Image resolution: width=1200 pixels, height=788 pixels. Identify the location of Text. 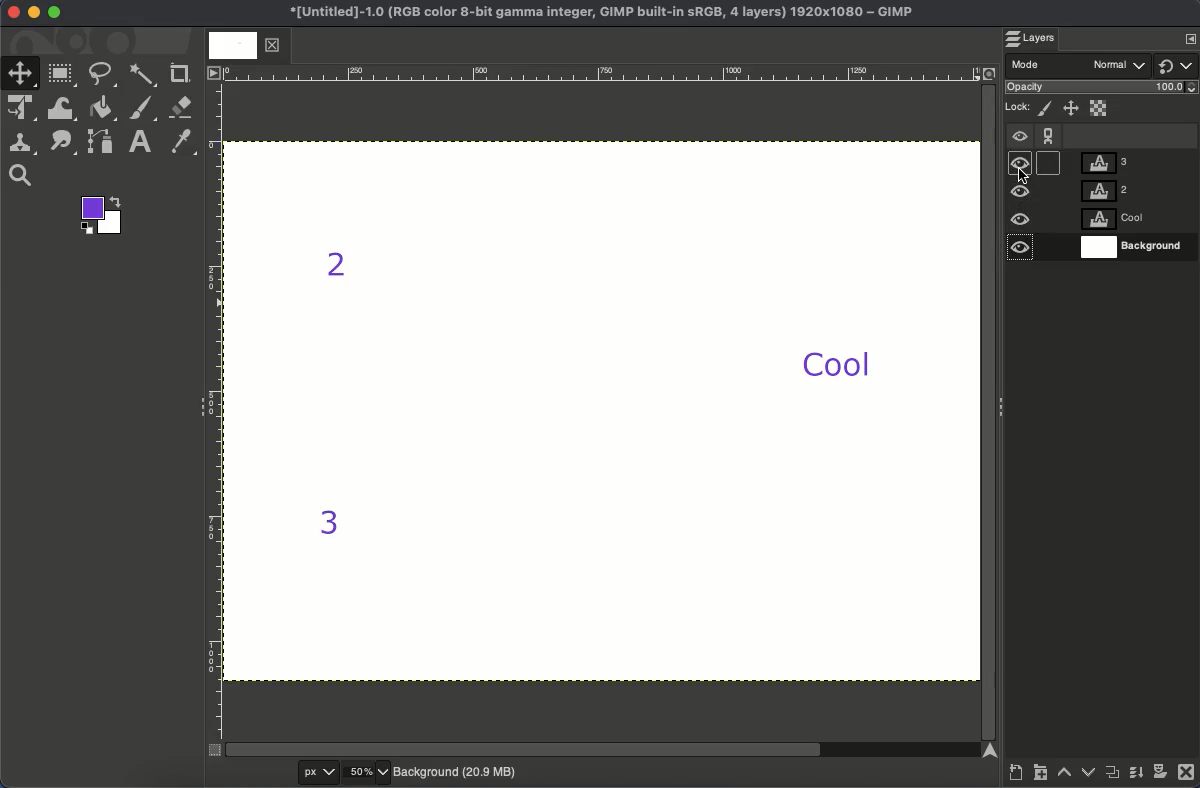
(142, 141).